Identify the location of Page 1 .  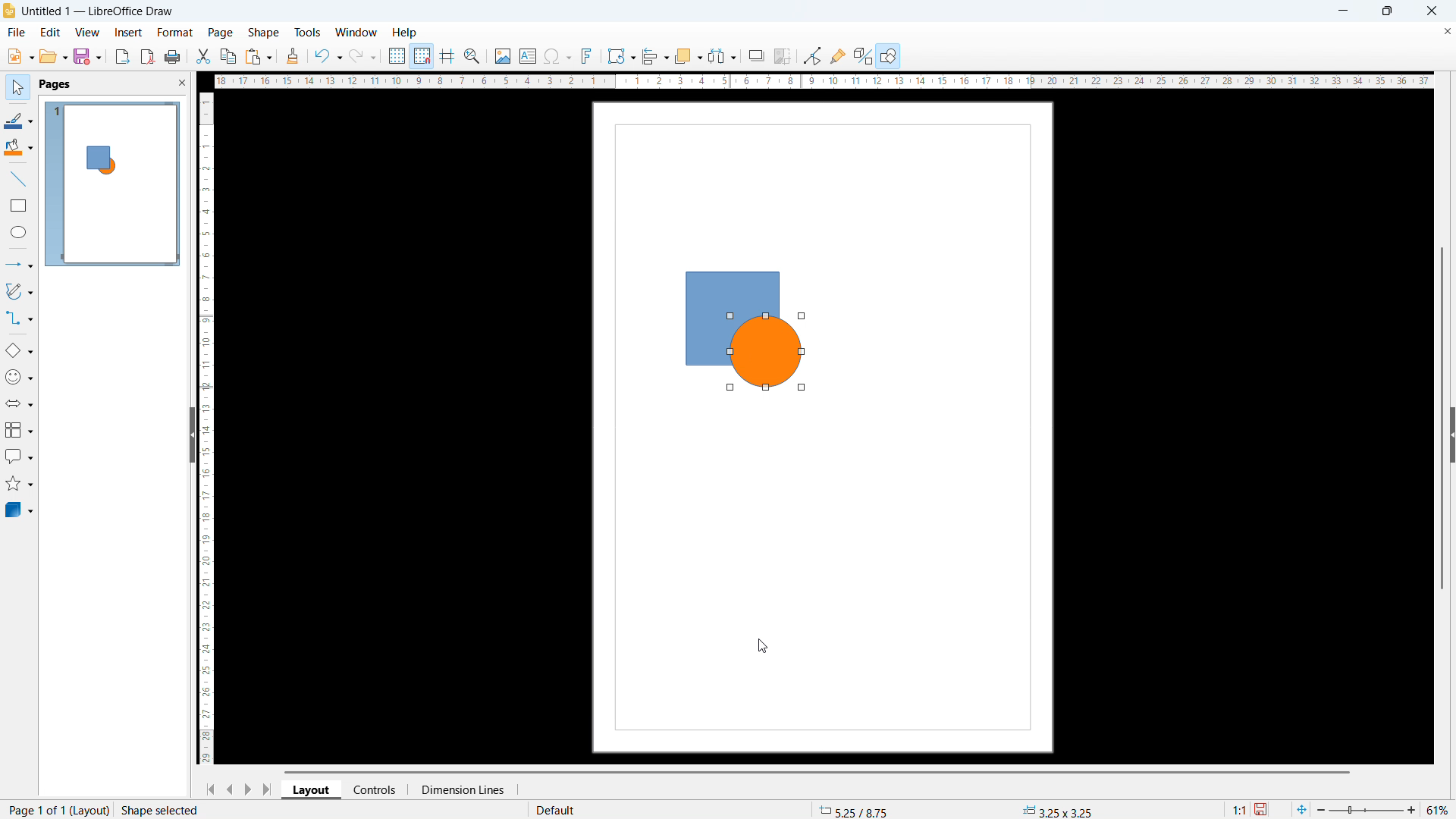
(115, 186).